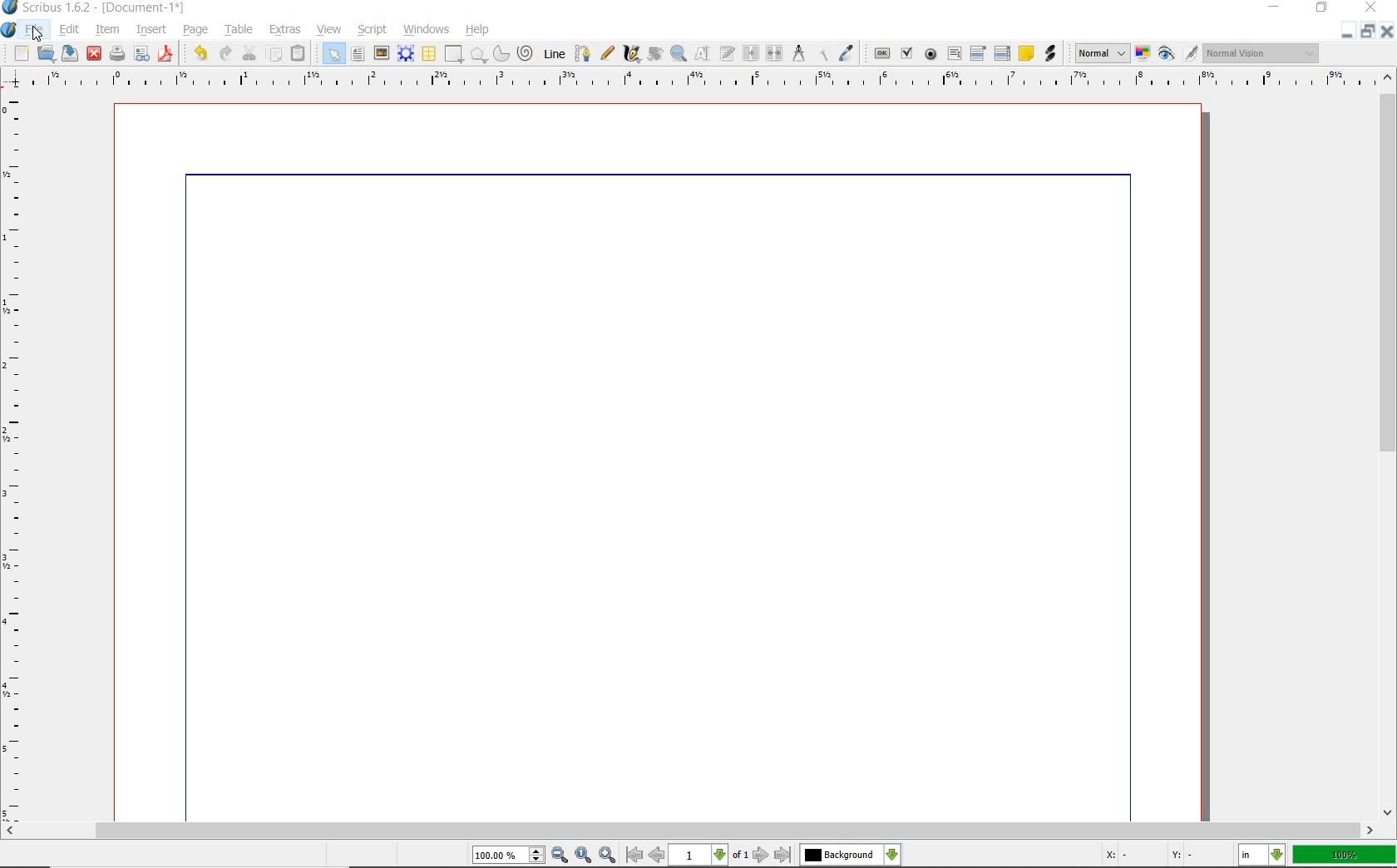 The image size is (1397, 868). Describe the element at coordinates (1262, 52) in the screenshot. I see `visual appearance of the display` at that location.